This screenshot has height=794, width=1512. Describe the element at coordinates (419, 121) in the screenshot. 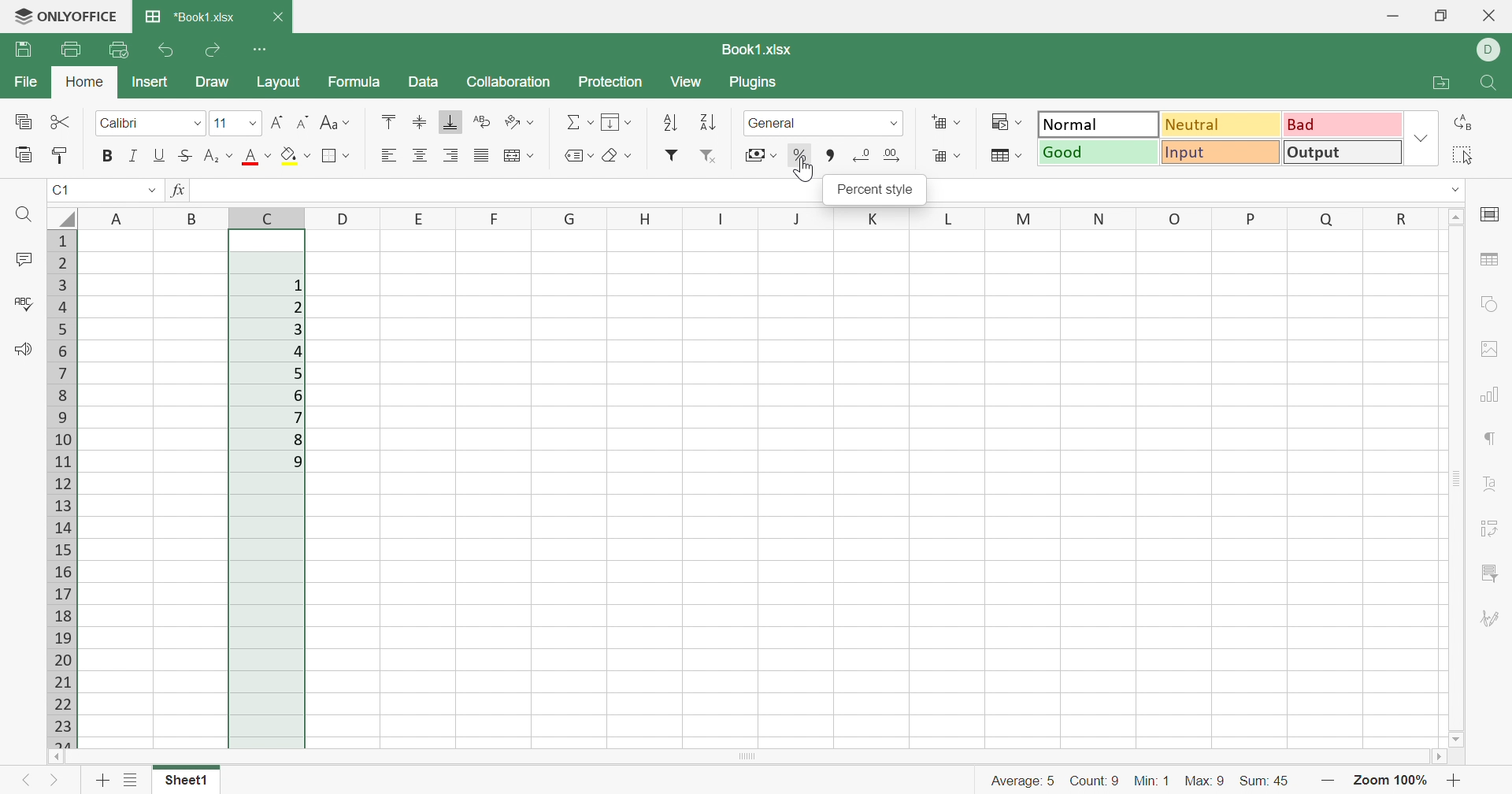

I see `Align Middle` at that location.